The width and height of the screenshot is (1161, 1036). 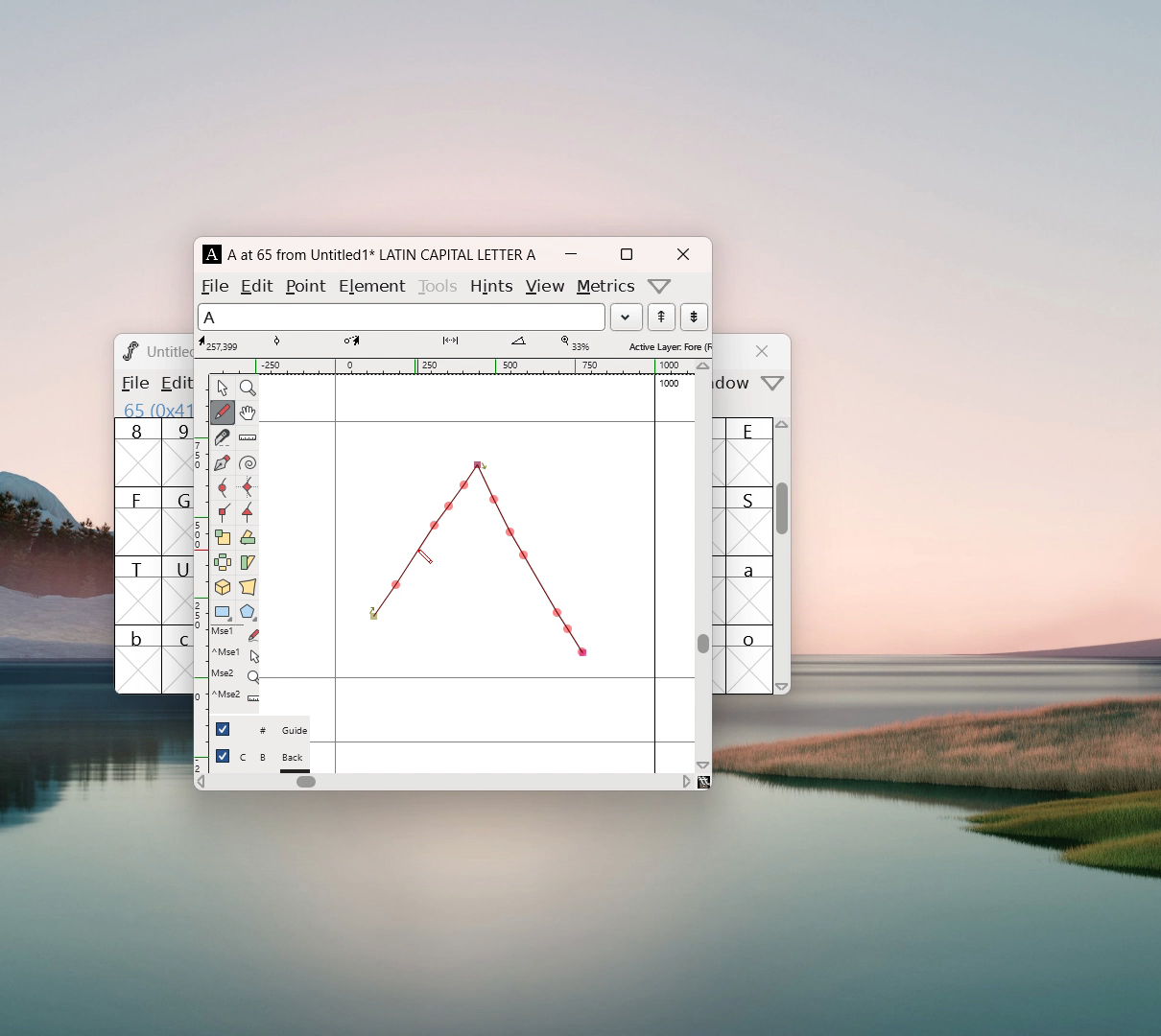 What do you see at coordinates (773, 385) in the screenshot?
I see `more options` at bounding box center [773, 385].